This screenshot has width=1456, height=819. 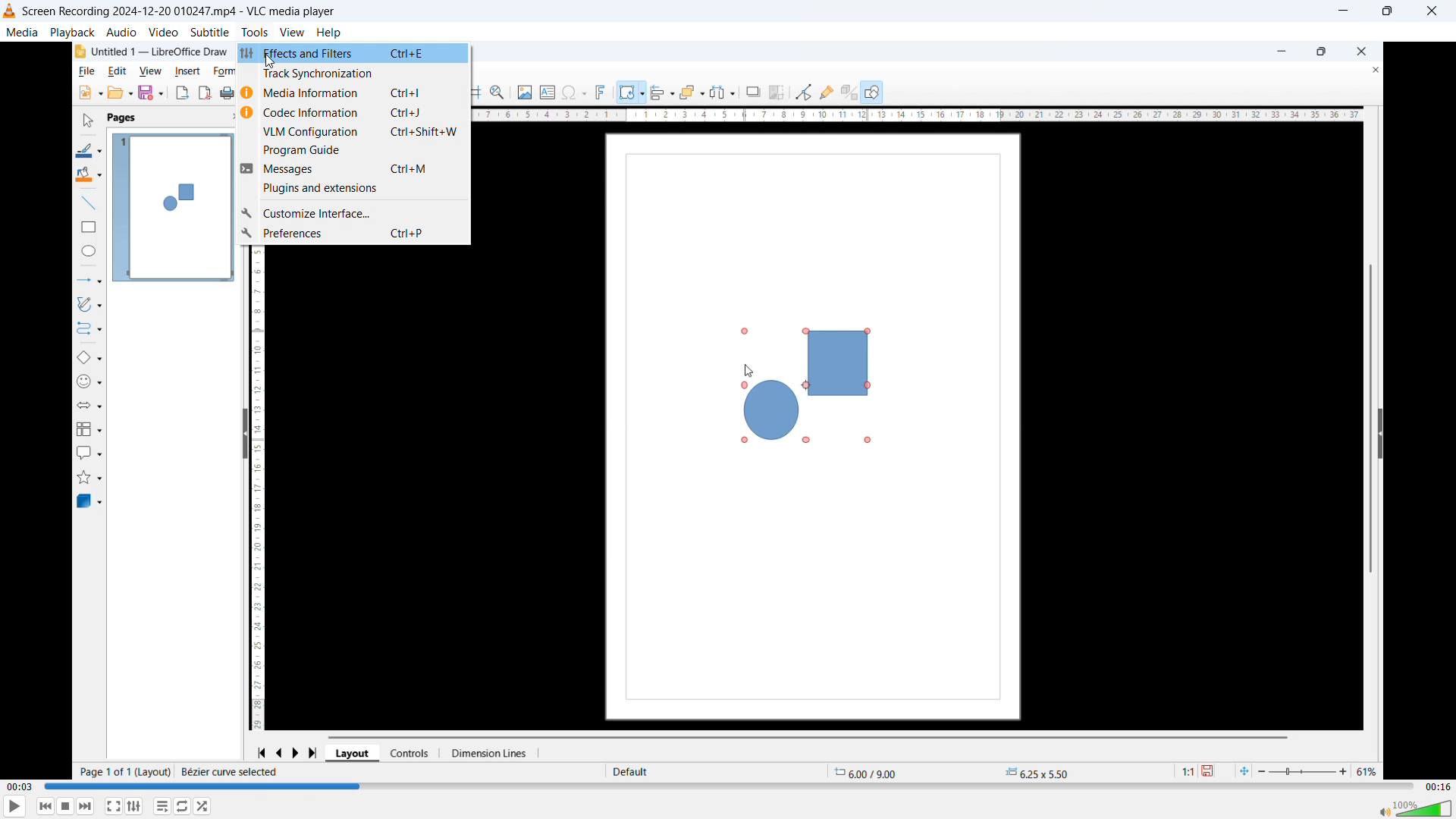 I want to click on minimize, so click(x=1342, y=12).